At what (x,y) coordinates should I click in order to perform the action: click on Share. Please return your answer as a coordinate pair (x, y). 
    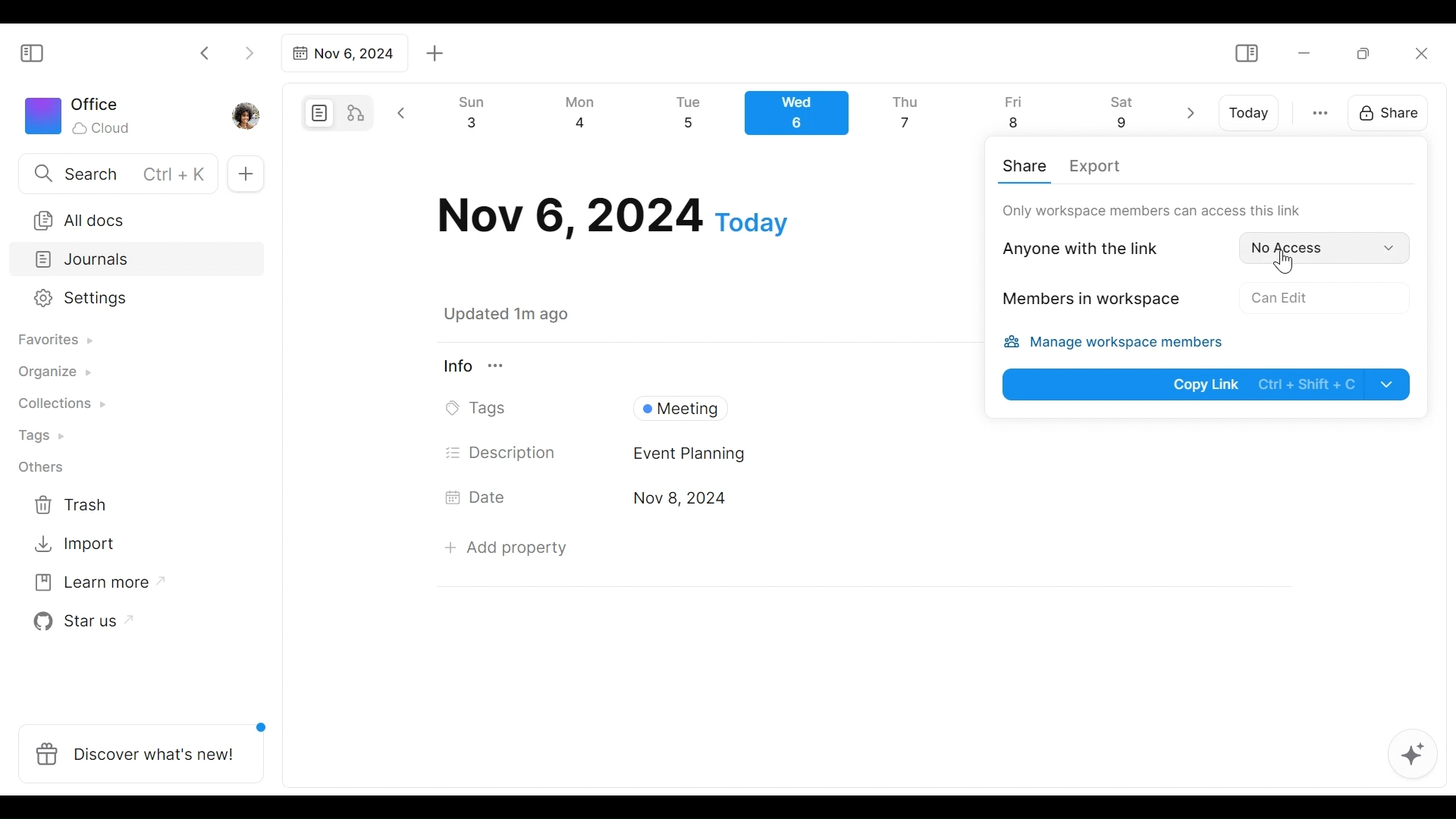
    Looking at the image, I should click on (1028, 165).